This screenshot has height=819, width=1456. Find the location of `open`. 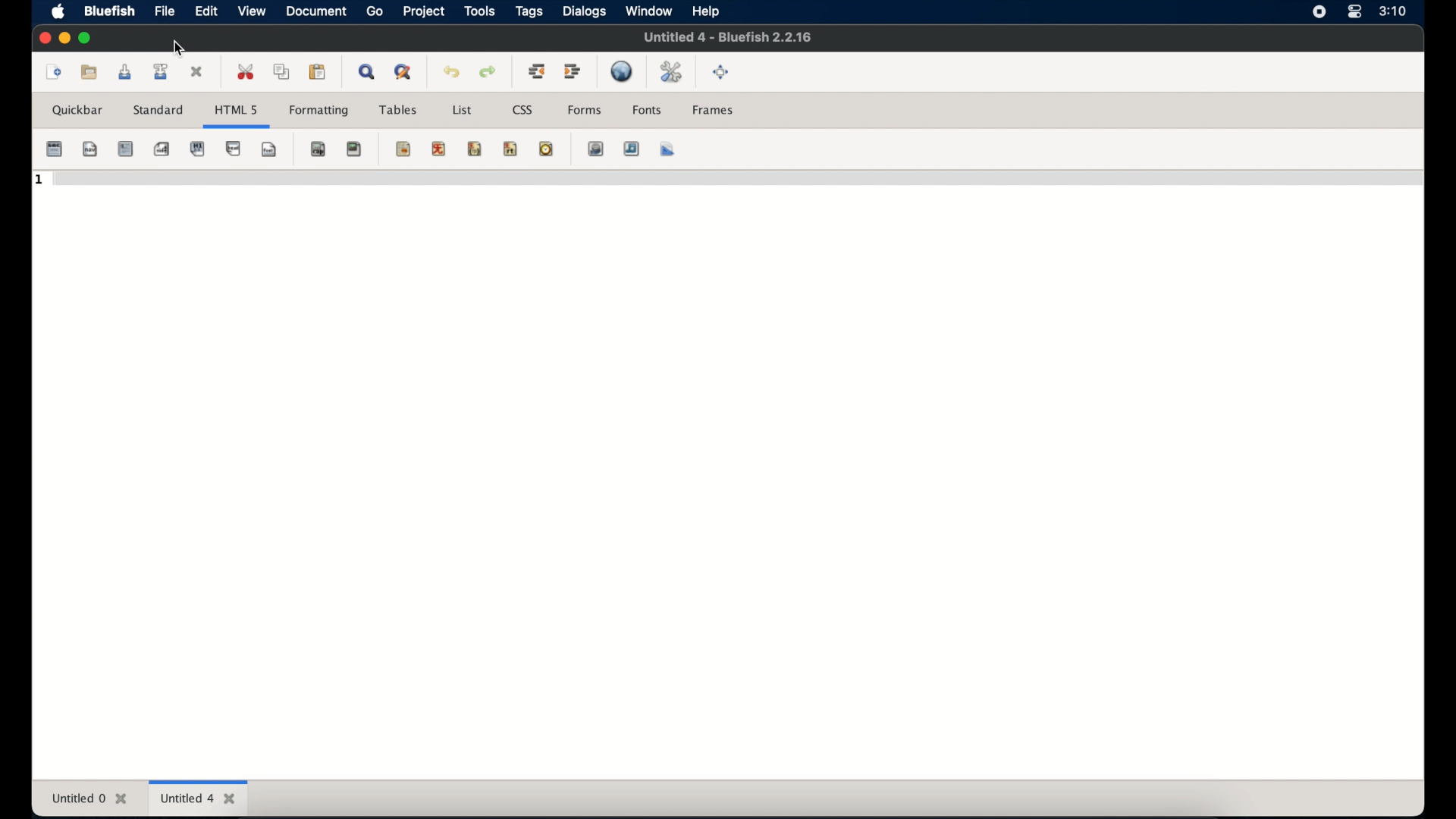

open is located at coordinates (90, 71).